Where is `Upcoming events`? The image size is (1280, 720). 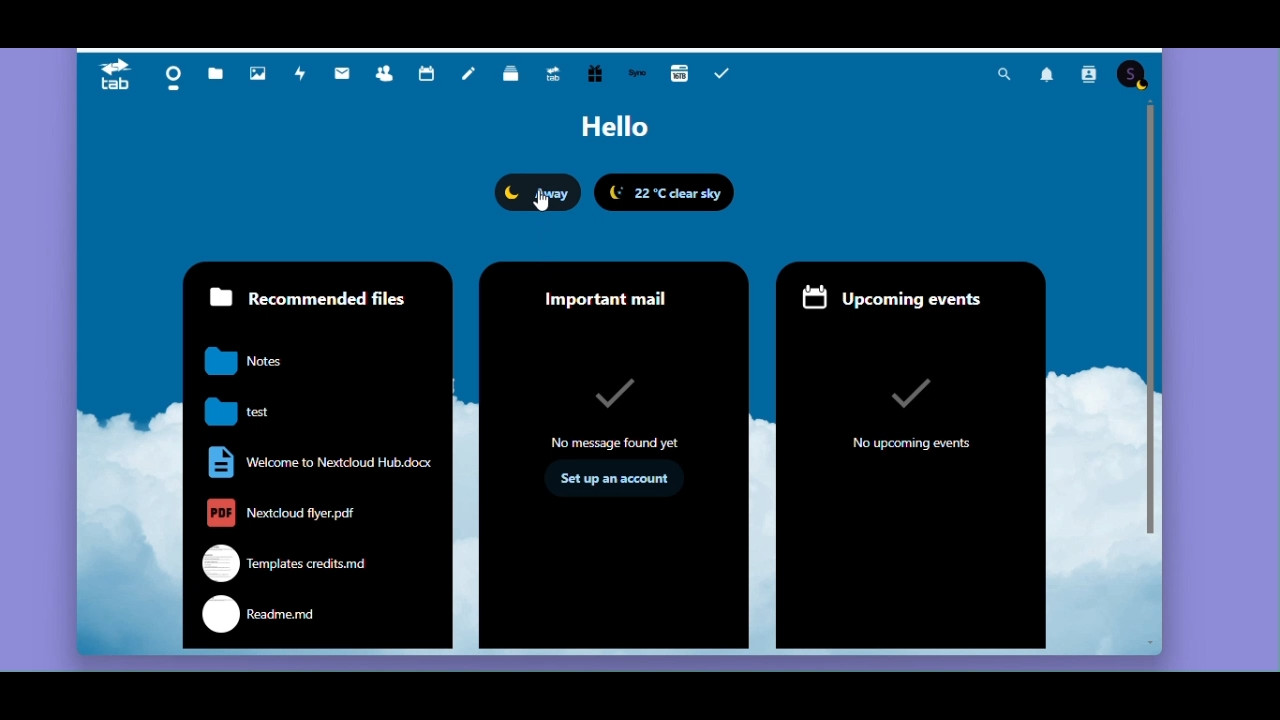
Upcoming events is located at coordinates (911, 293).